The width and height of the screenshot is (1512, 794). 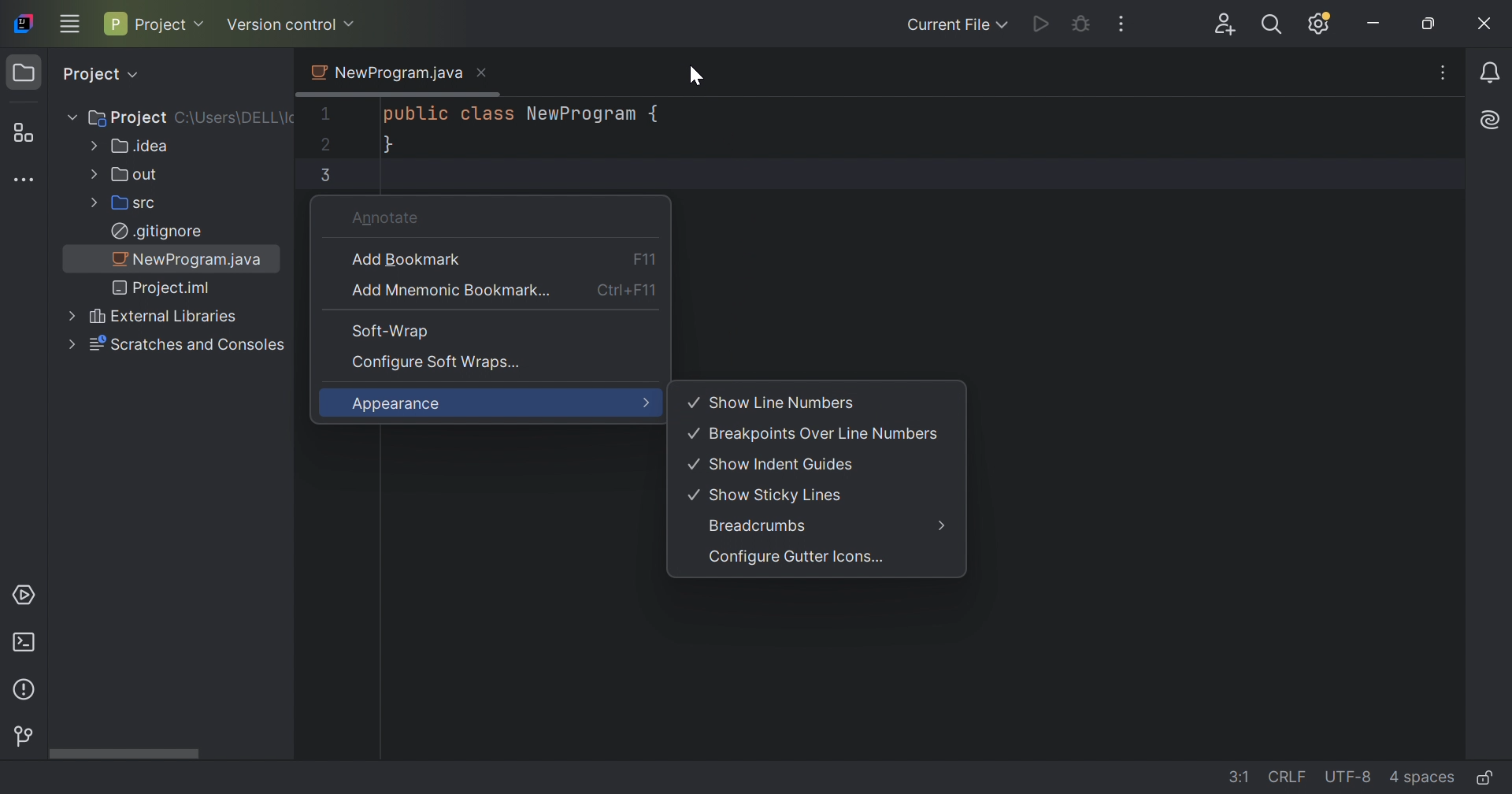 What do you see at coordinates (69, 117) in the screenshot?
I see `Drop Down` at bounding box center [69, 117].